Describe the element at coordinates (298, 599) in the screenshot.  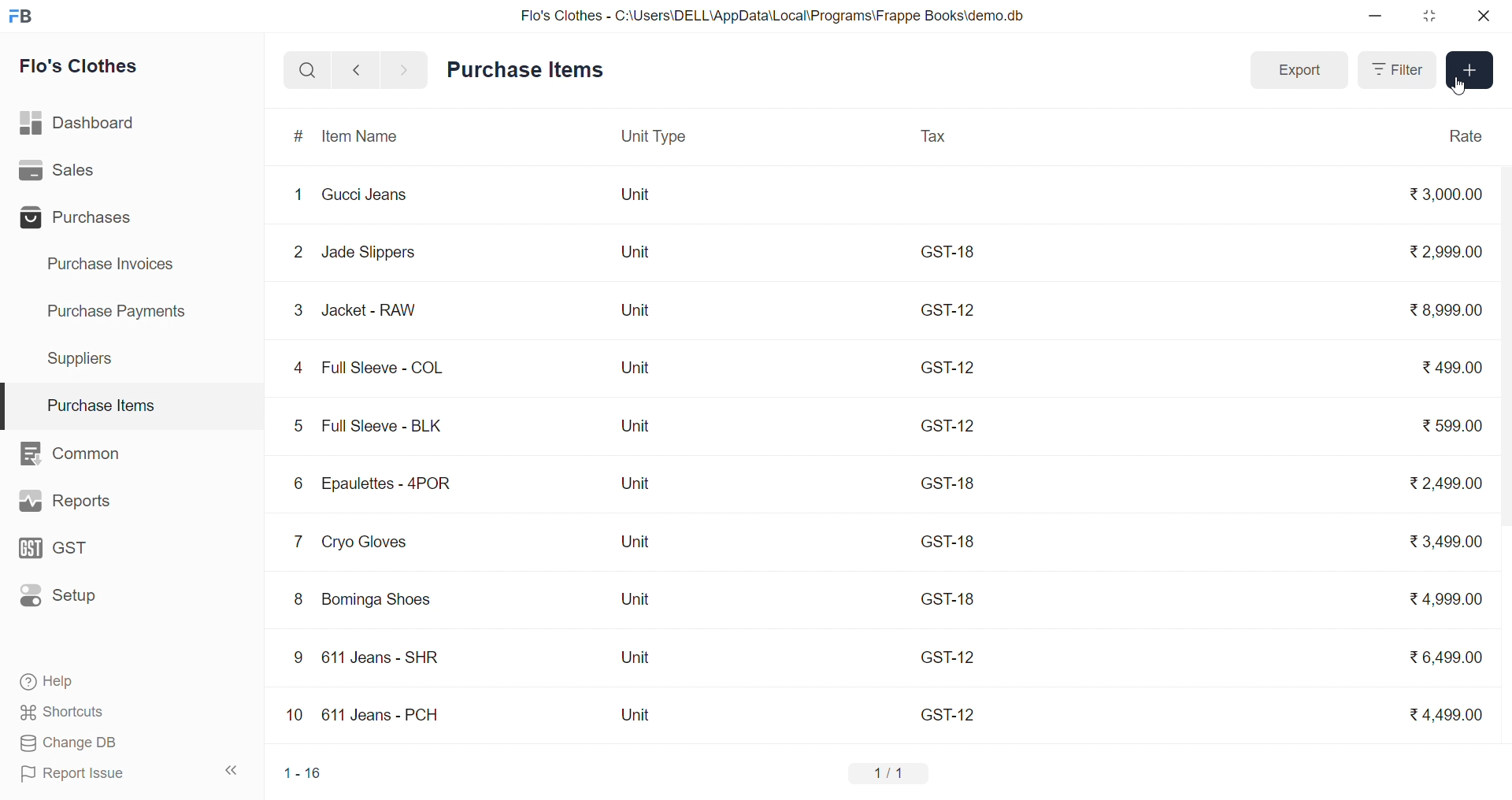
I see `8` at that location.